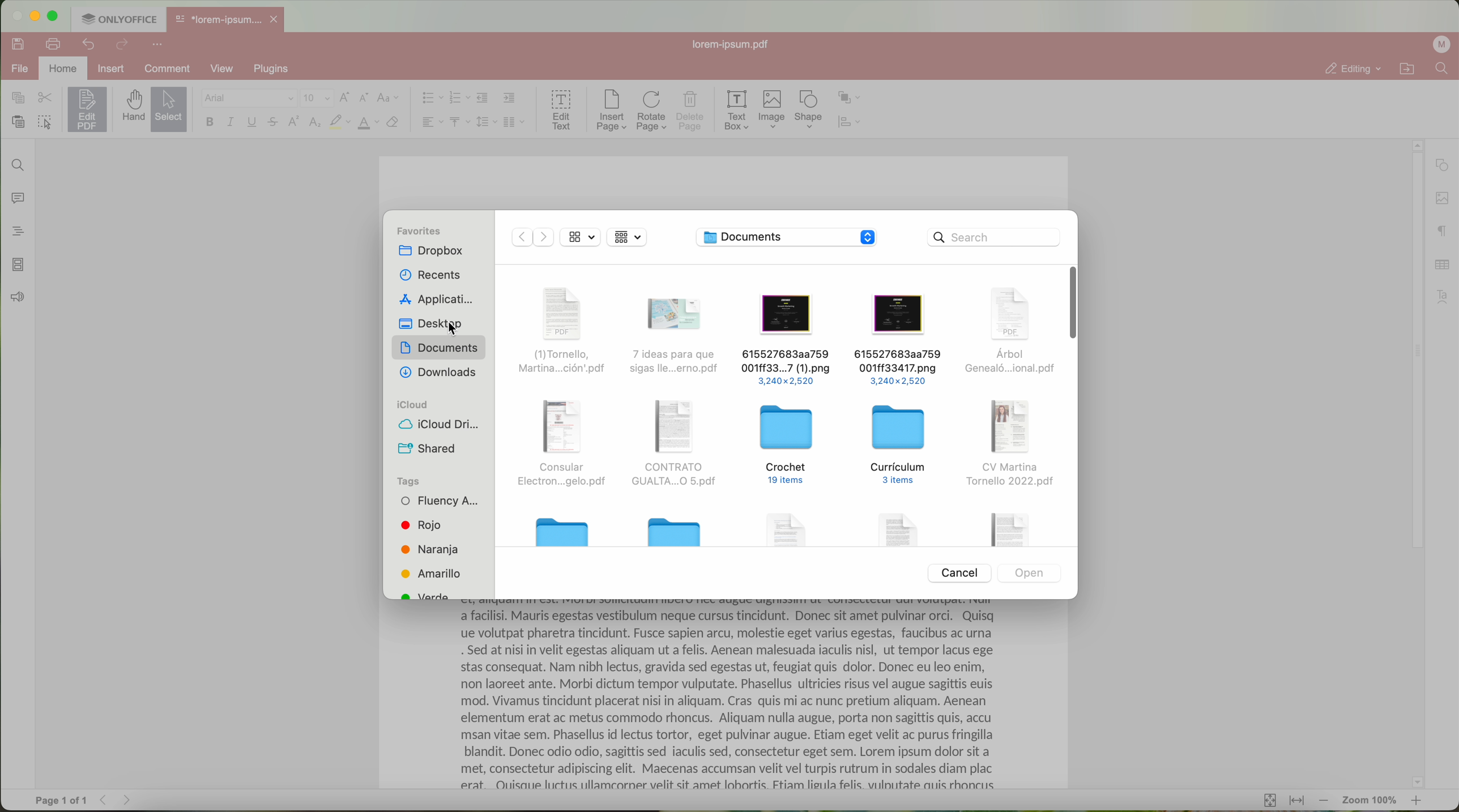 This screenshot has width=1459, height=812. Describe the element at coordinates (1268, 800) in the screenshot. I see `fit to page` at that location.